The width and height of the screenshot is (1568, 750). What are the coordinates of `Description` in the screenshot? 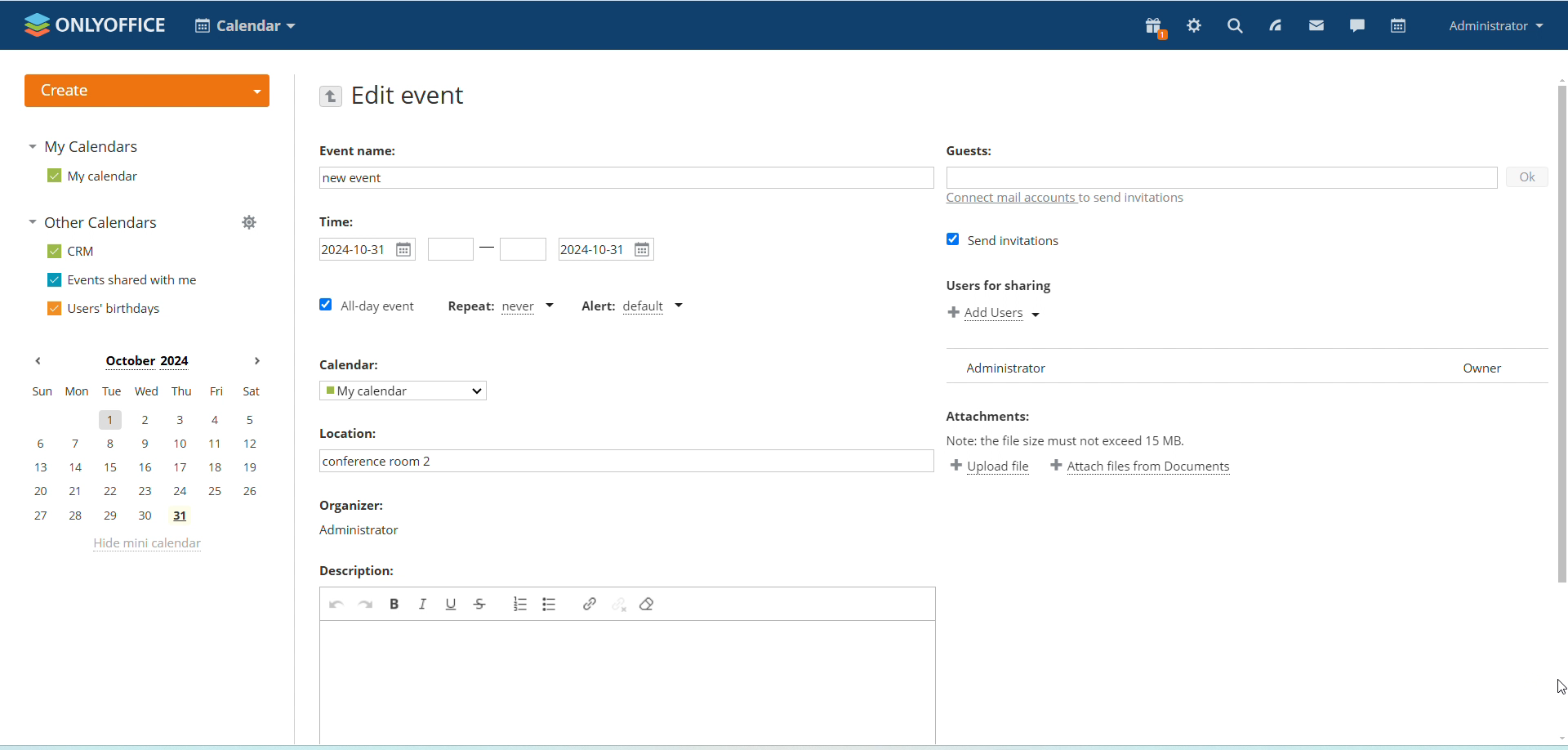 It's located at (355, 571).